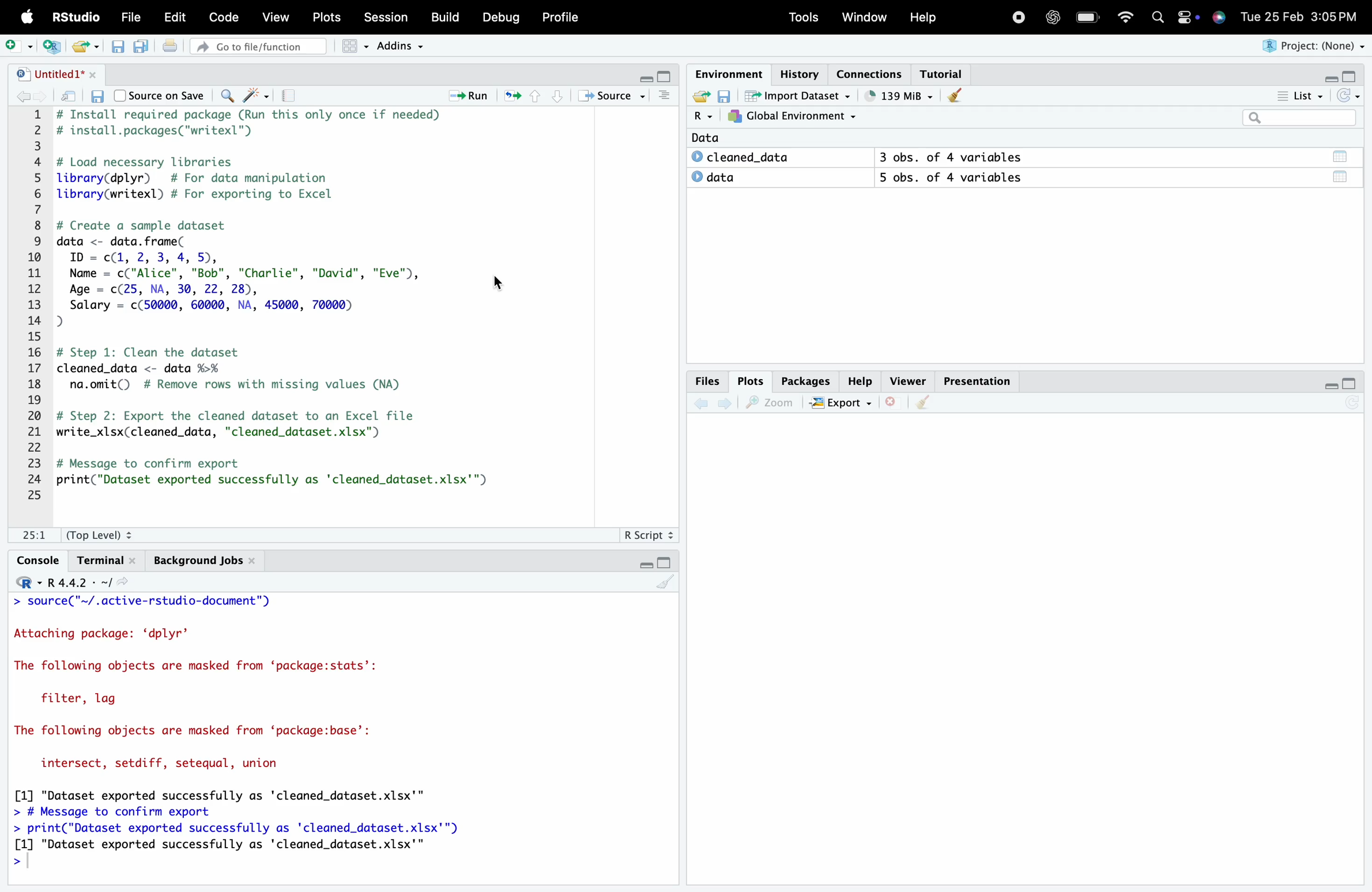 Image resolution: width=1372 pixels, height=892 pixels. I want to click on Project (None), so click(1315, 47).